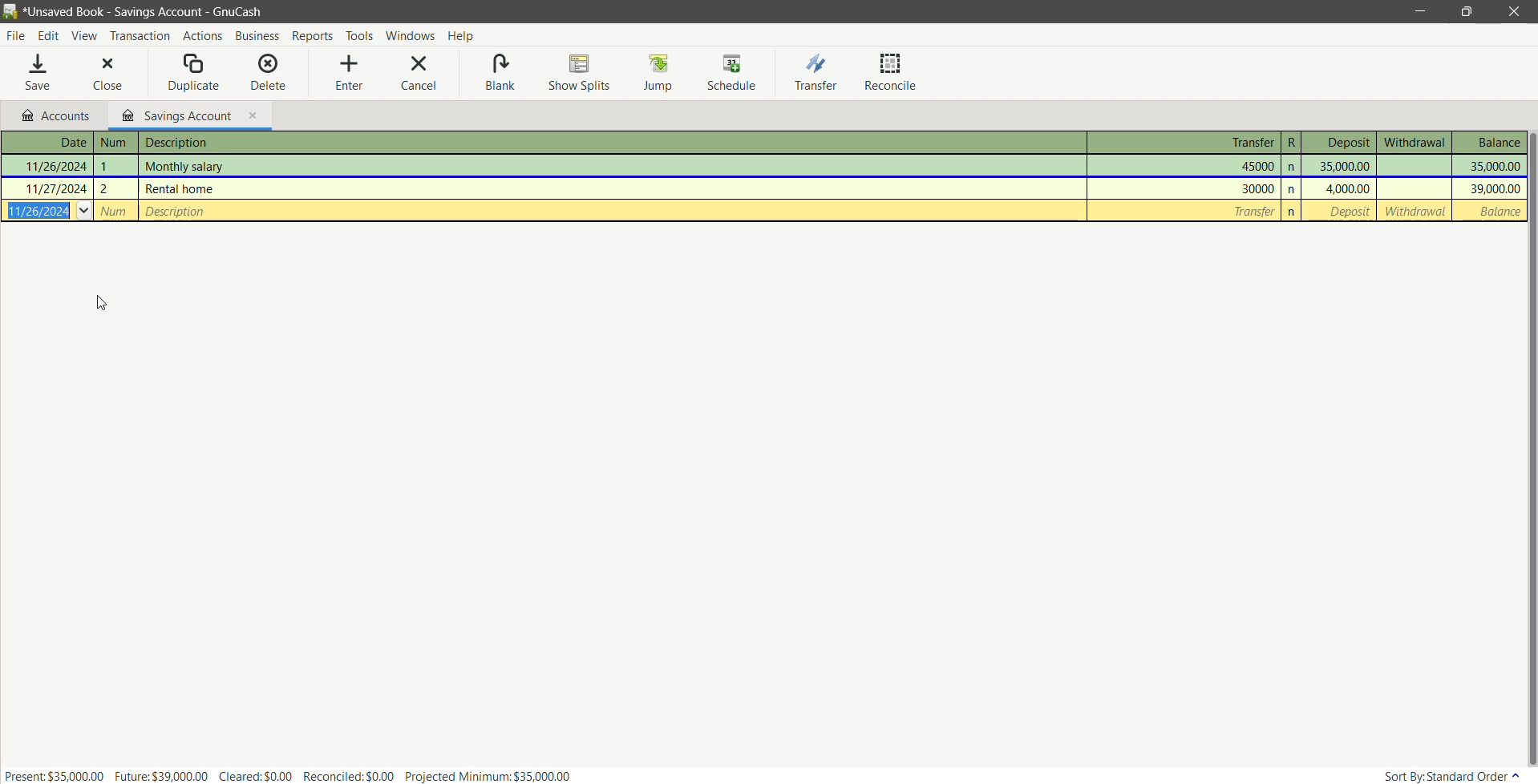  What do you see at coordinates (49, 34) in the screenshot?
I see `Edit` at bounding box center [49, 34].